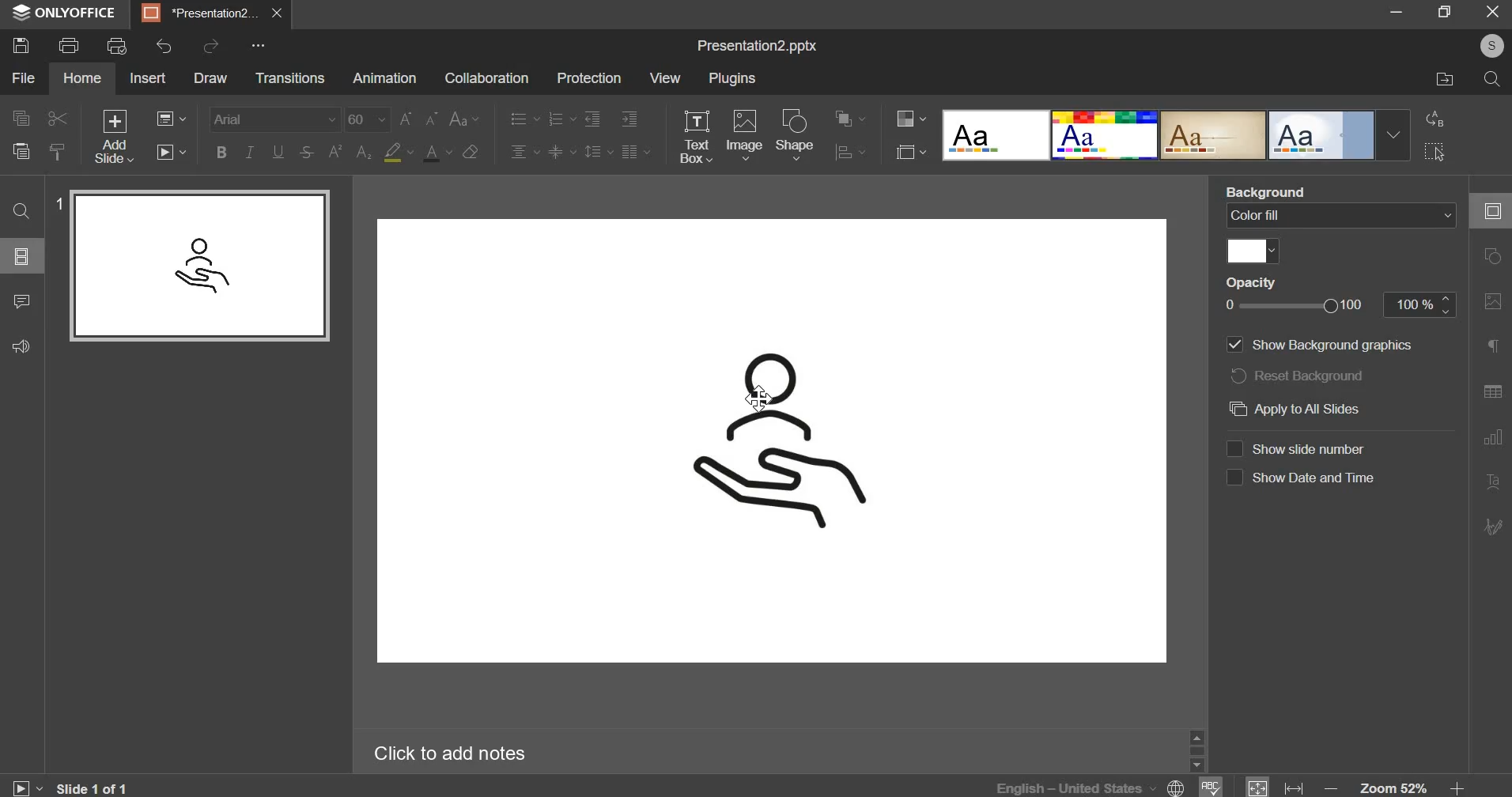  I want to click on Presentation2..., so click(200, 13).